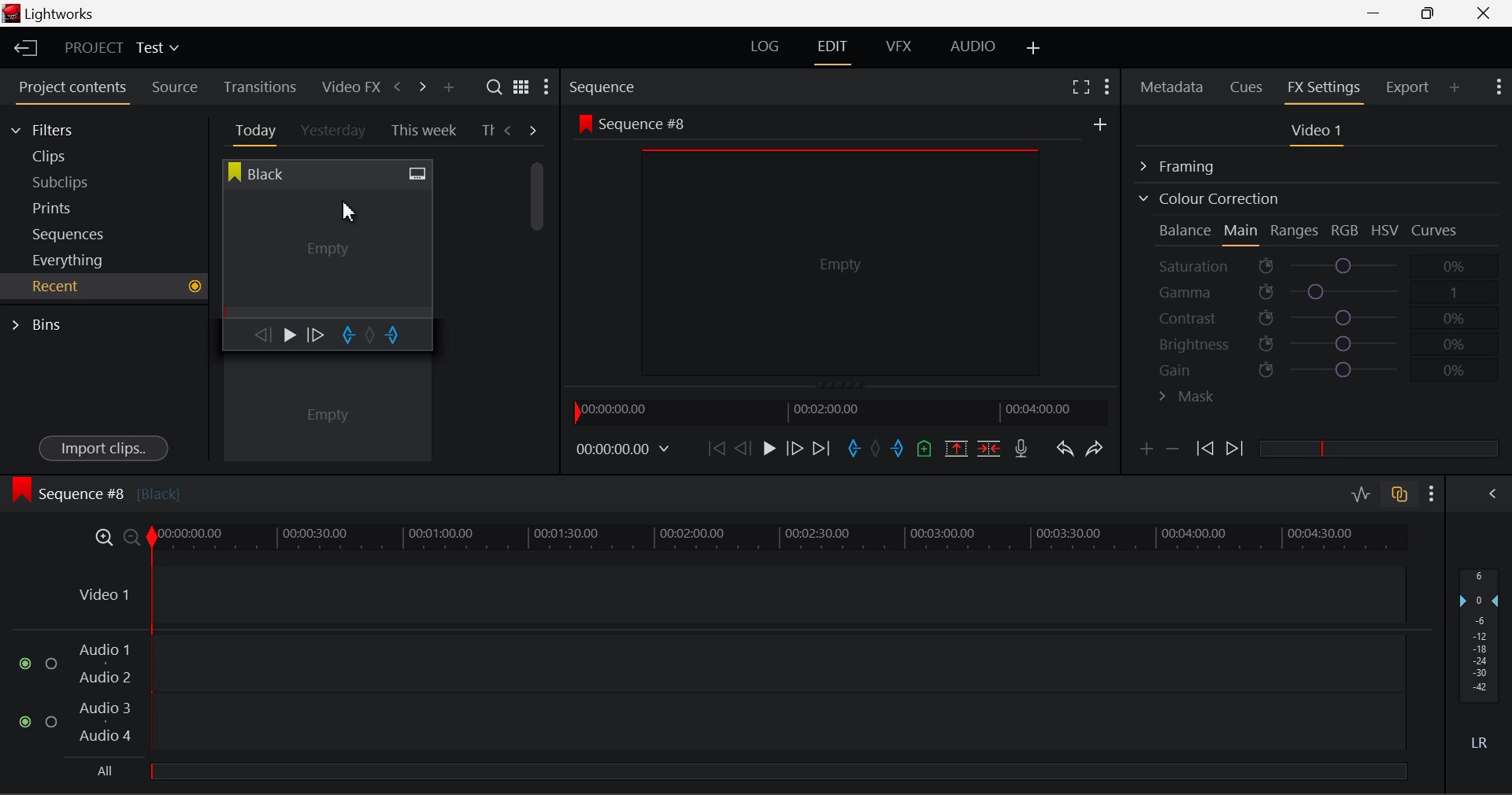 This screenshot has height=795, width=1512. Describe the element at coordinates (346, 87) in the screenshot. I see `Video FX` at that location.